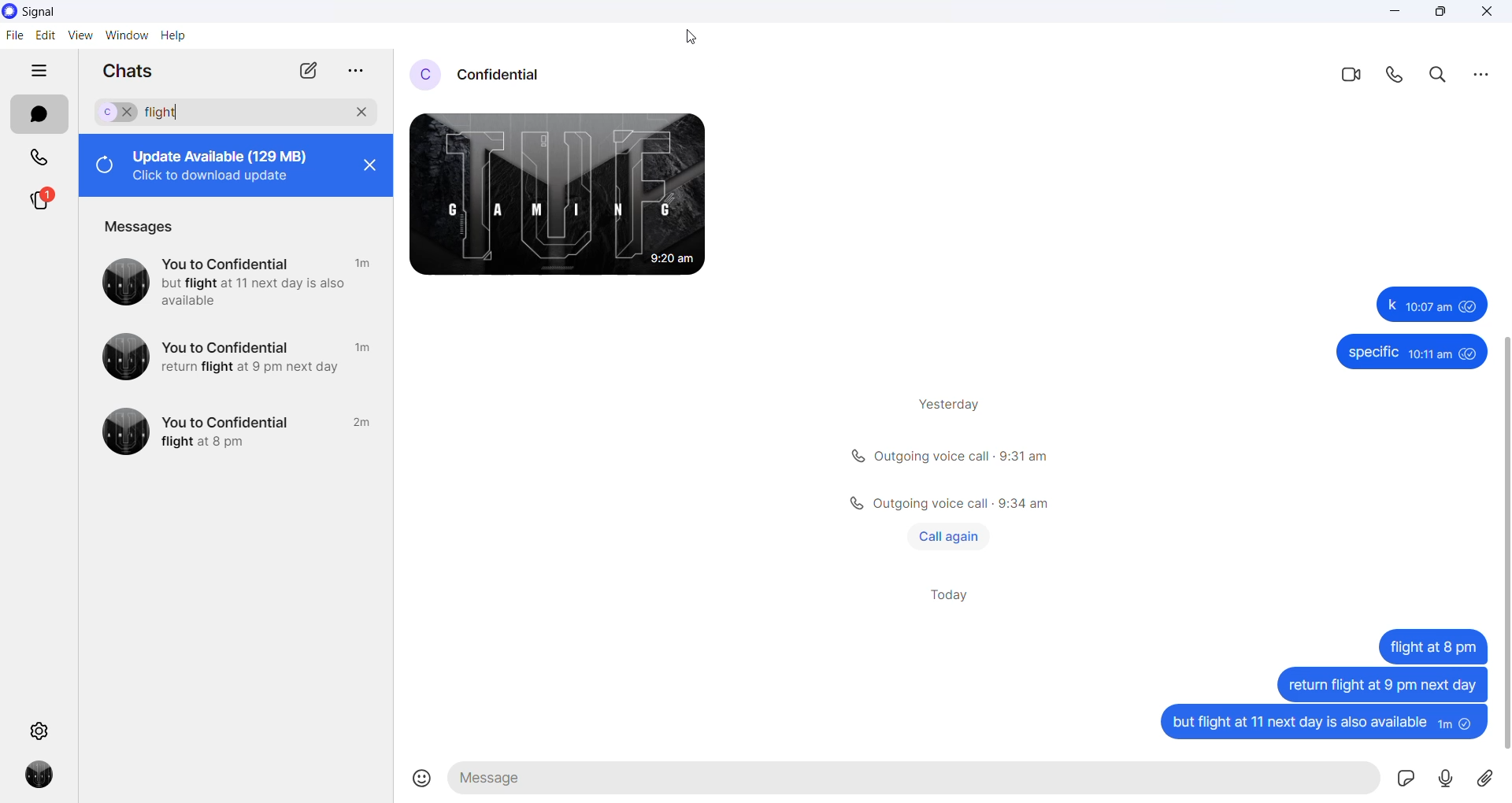  What do you see at coordinates (42, 13) in the screenshot?
I see `application name and logo` at bounding box center [42, 13].